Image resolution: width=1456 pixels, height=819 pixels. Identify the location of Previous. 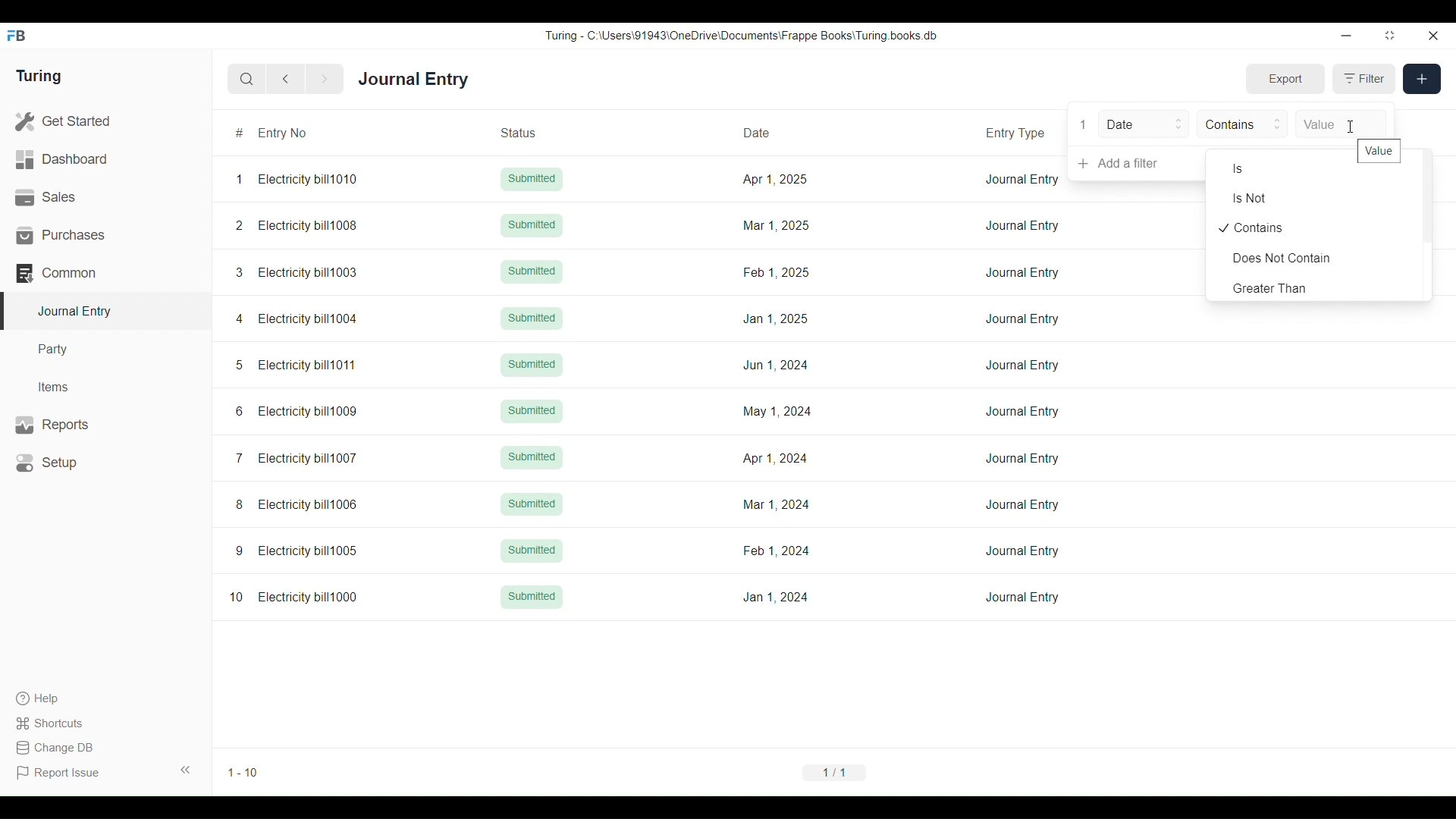
(286, 79).